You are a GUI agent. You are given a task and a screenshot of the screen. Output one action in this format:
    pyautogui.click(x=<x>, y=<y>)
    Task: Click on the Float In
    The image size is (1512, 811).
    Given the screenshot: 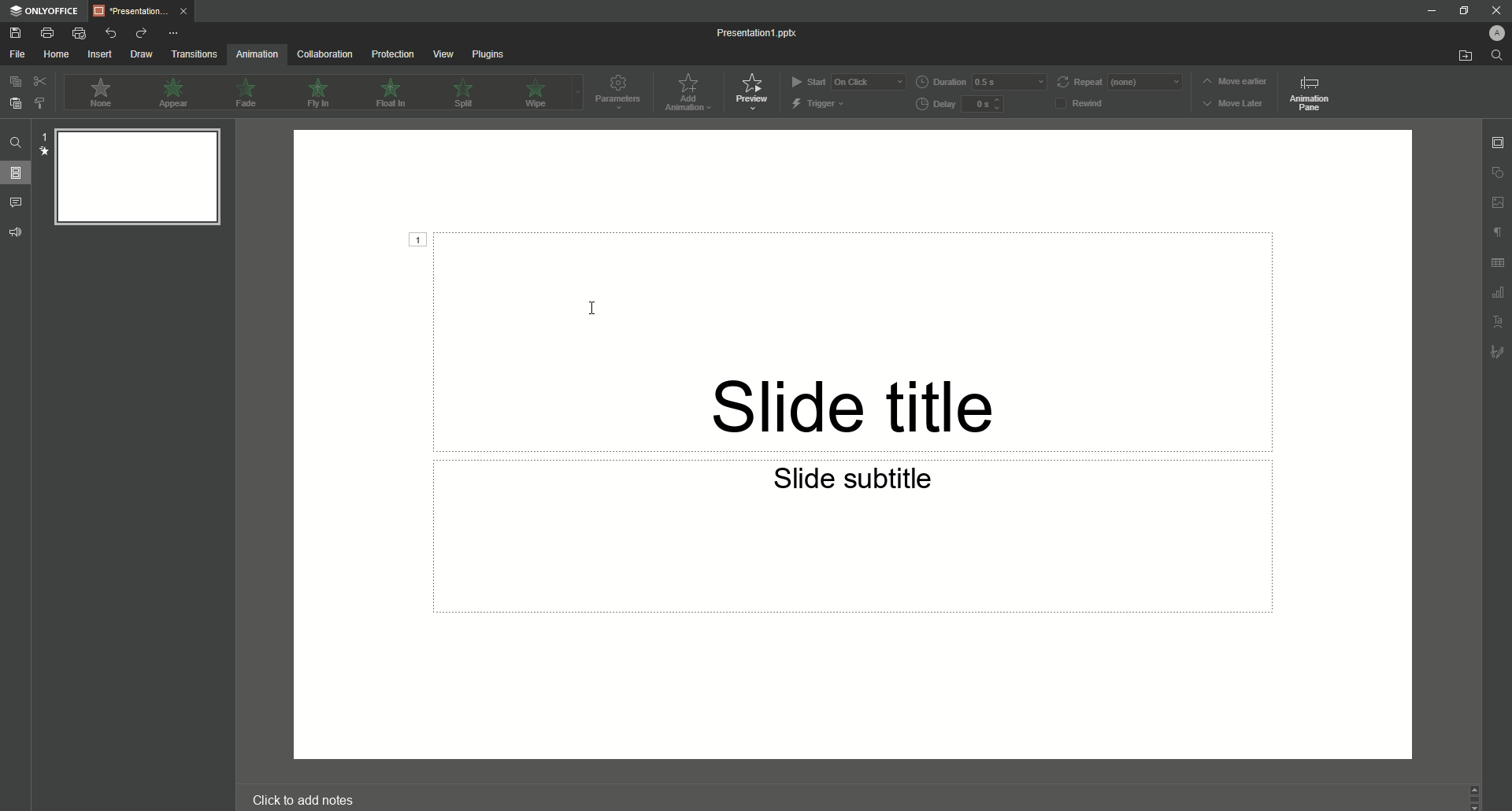 What is the action you would take?
    pyautogui.click(x=393, y=94)
    